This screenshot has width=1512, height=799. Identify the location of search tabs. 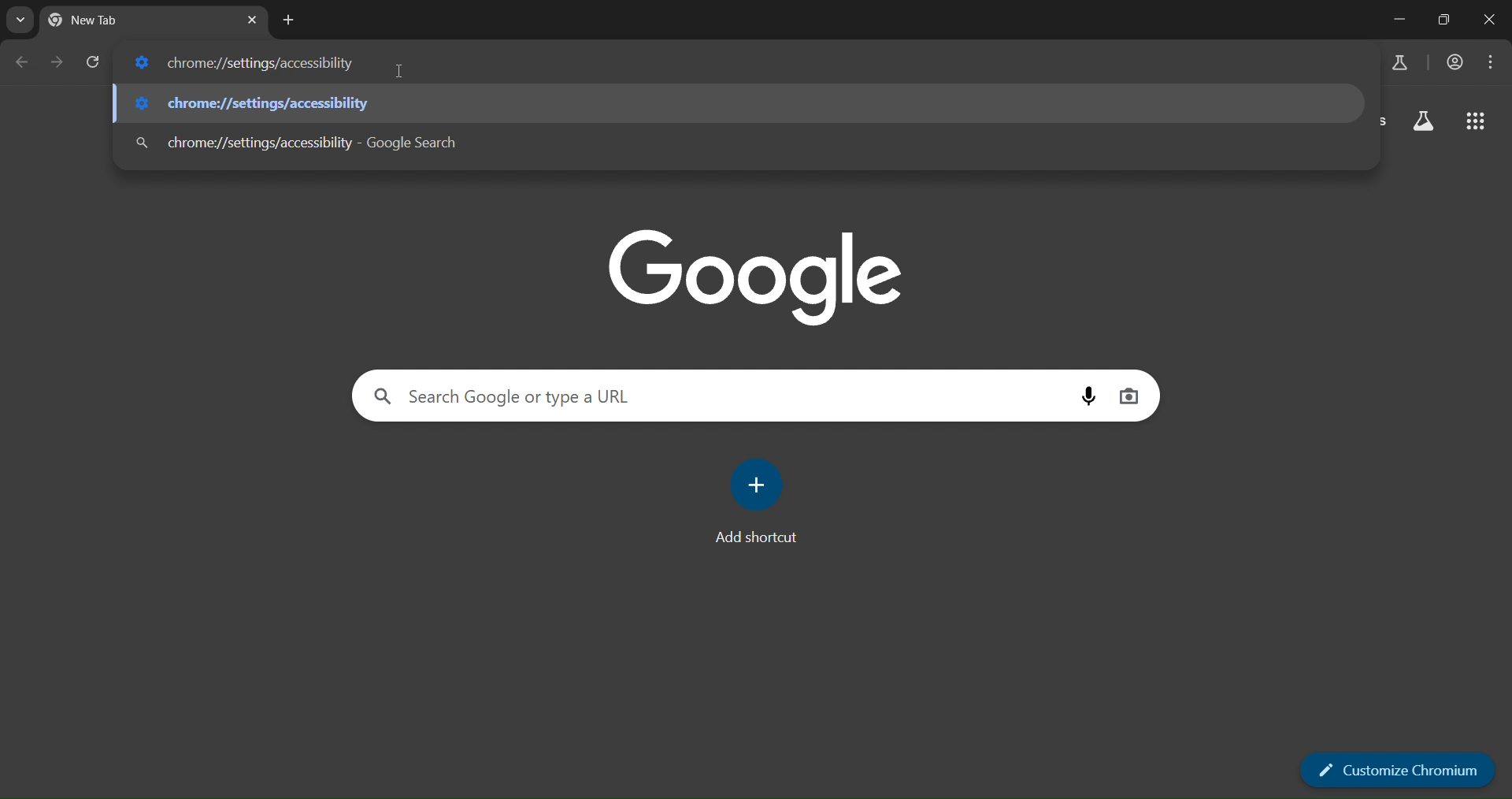
(20, 21).